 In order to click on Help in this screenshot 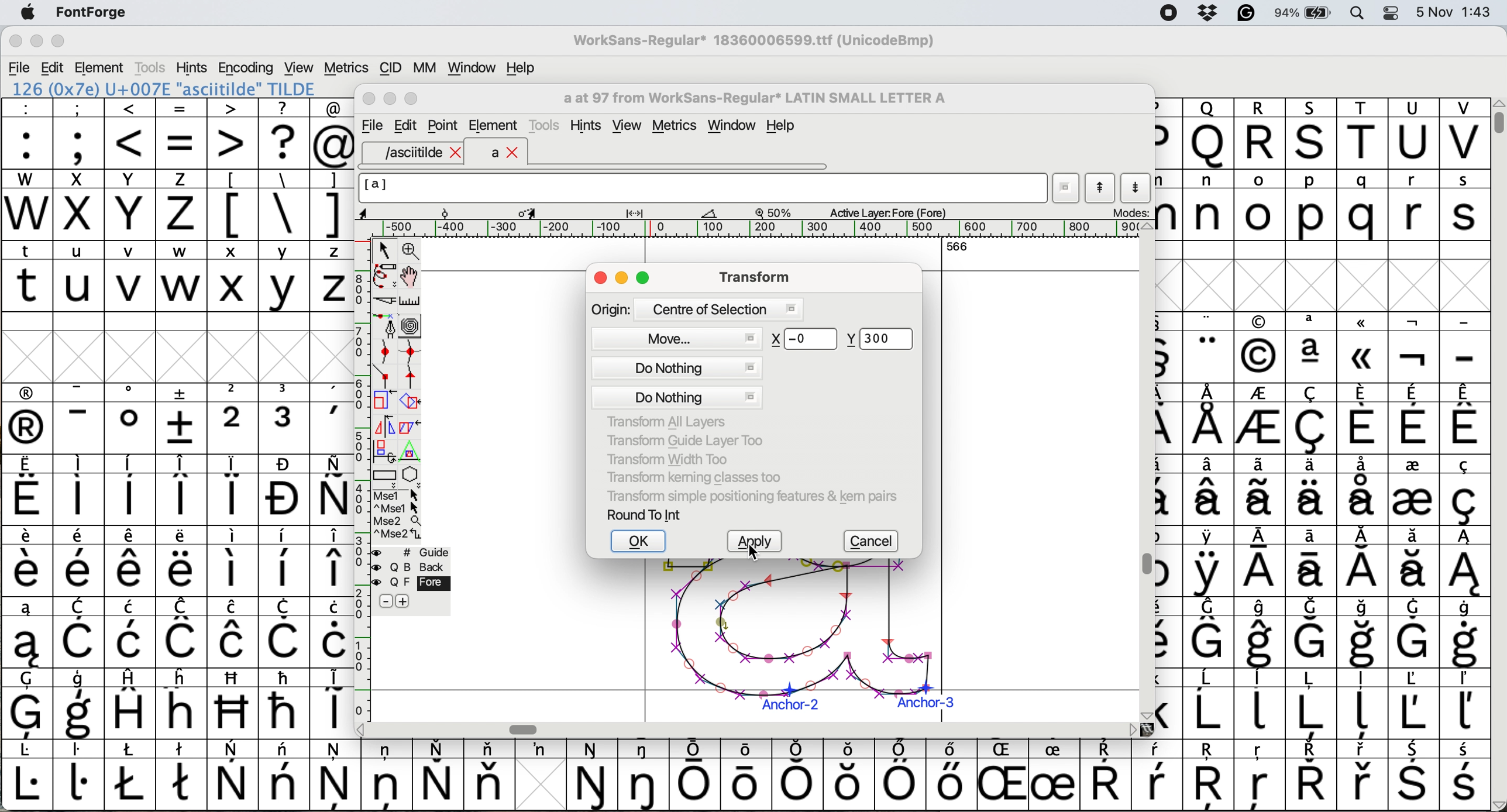, I will do `click(780, 127)`.